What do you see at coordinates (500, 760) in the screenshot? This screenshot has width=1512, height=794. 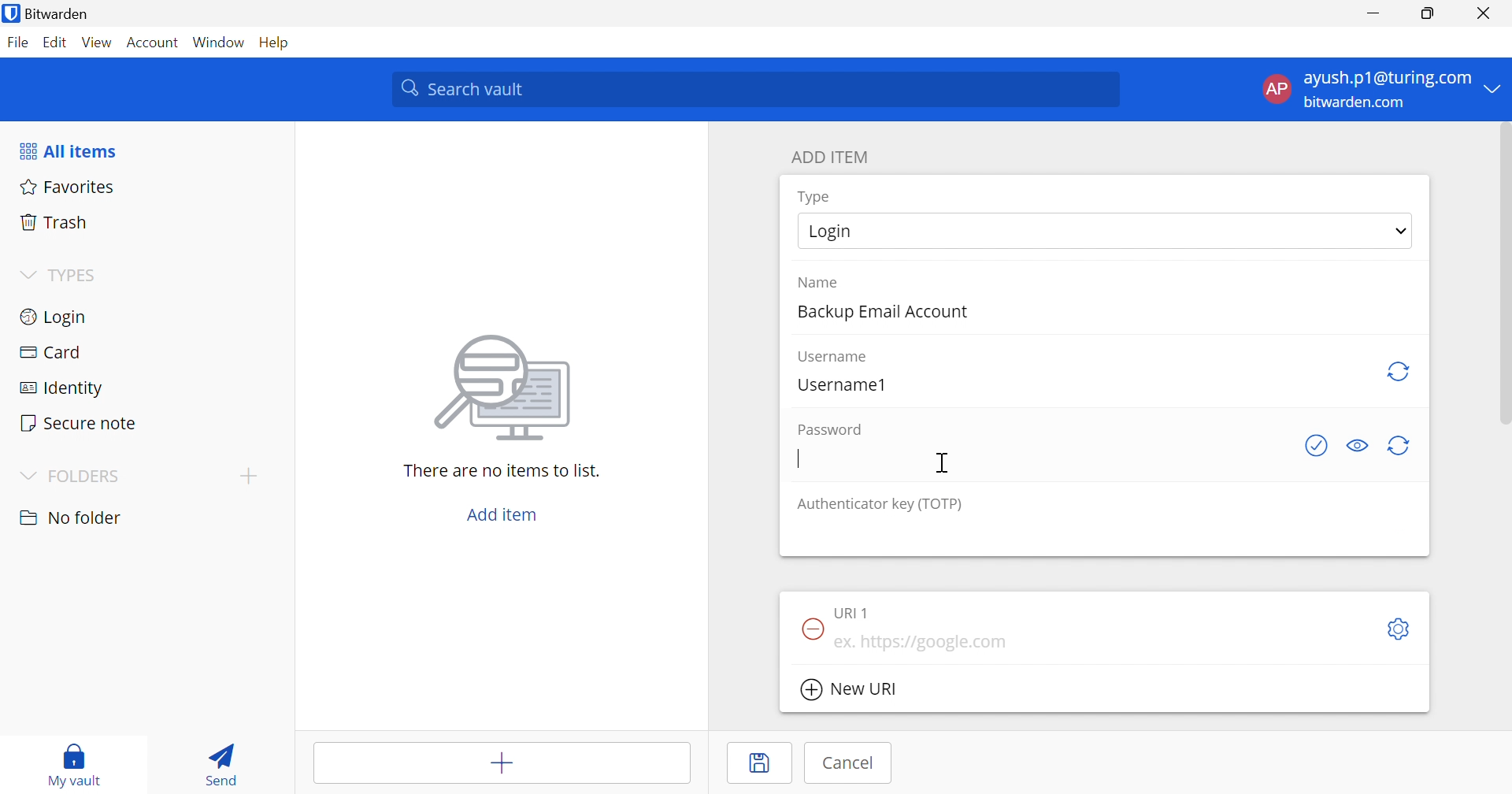 I see `Add item` at bounding box center [500, 760].